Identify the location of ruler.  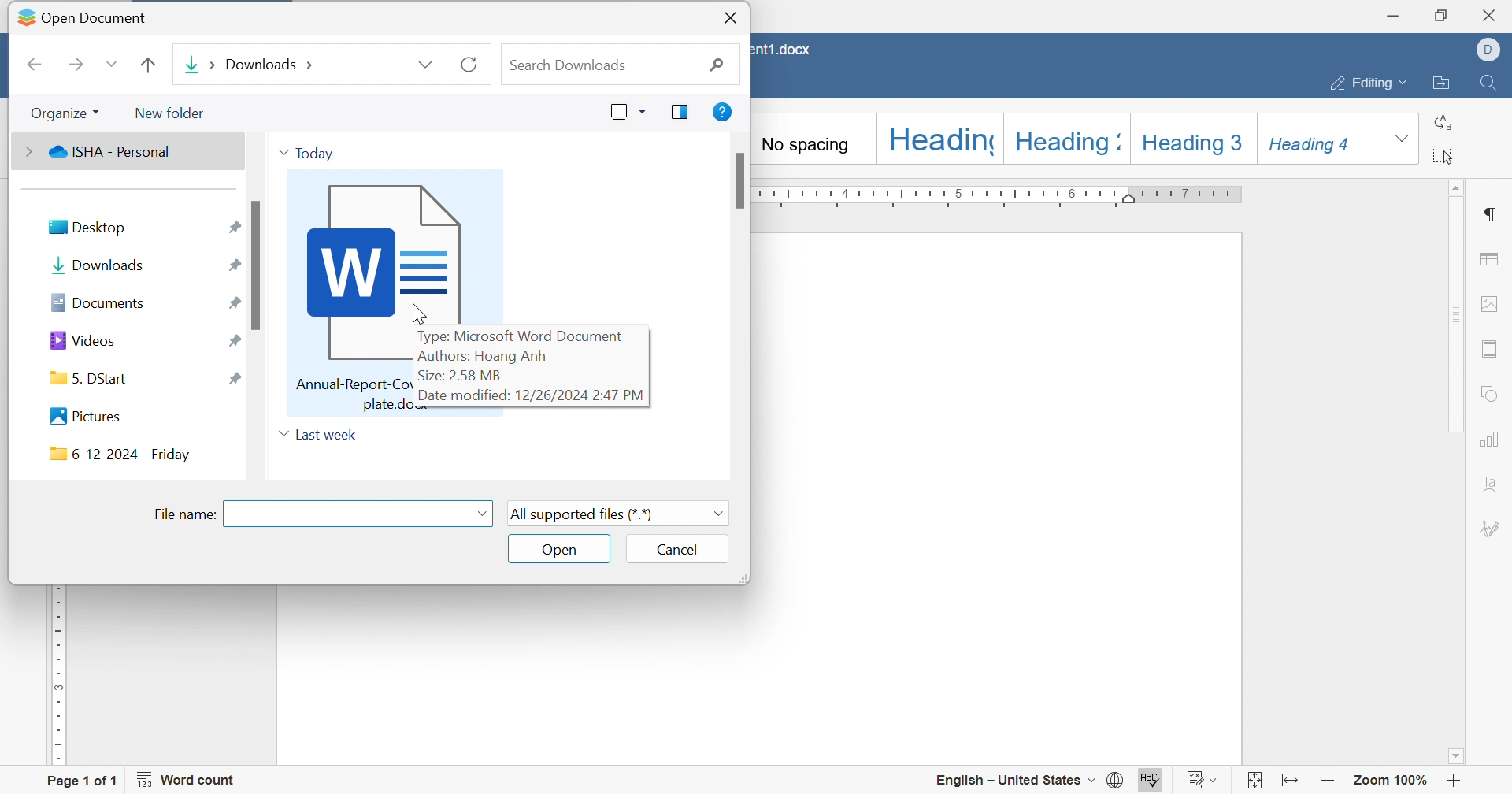
(1008, 194).